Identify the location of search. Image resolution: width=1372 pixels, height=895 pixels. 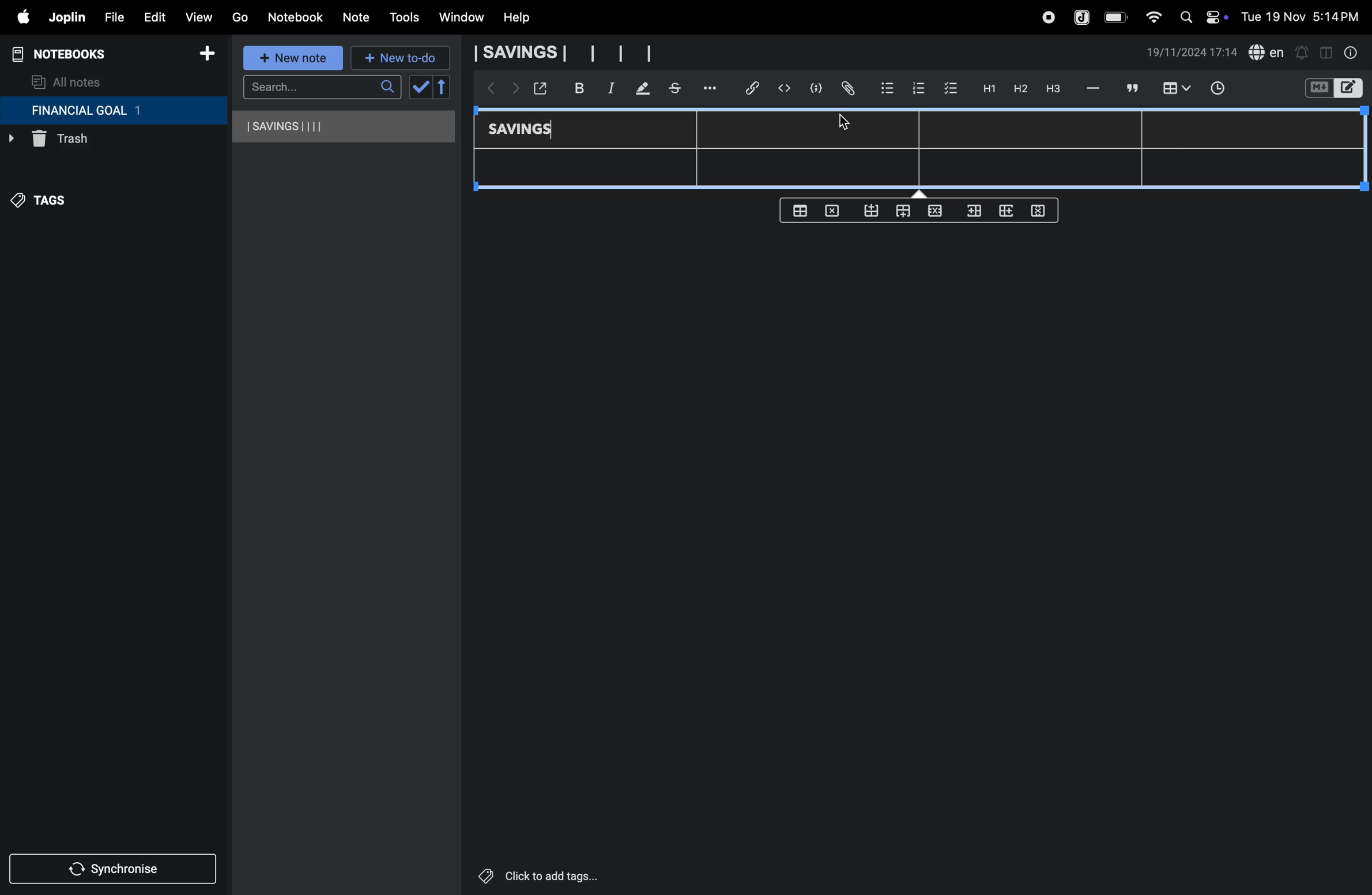
(322, 87).